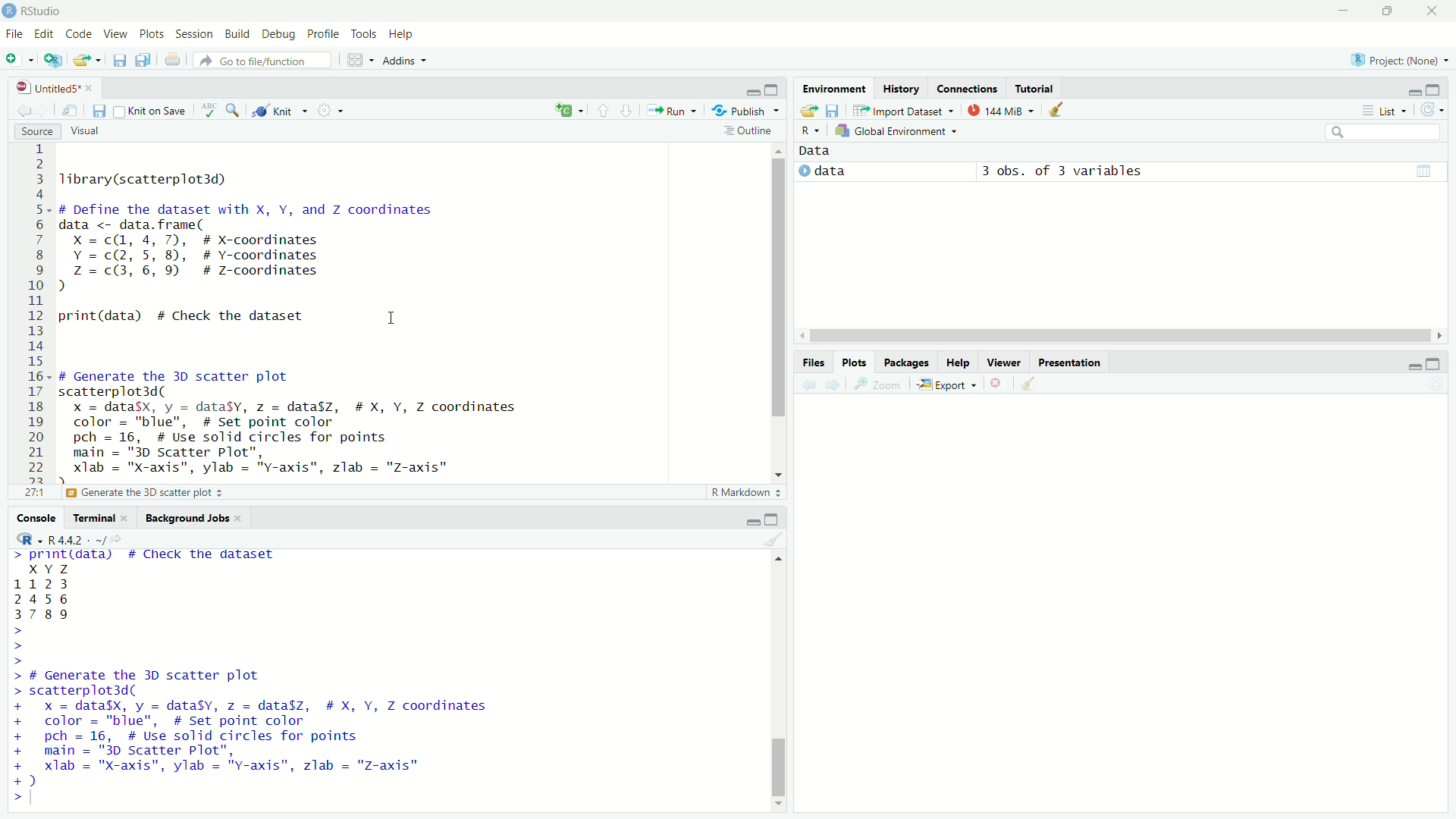 The height and width of the screenshot is (819, 1456). I want to click on maximize, so click(1436, 362).